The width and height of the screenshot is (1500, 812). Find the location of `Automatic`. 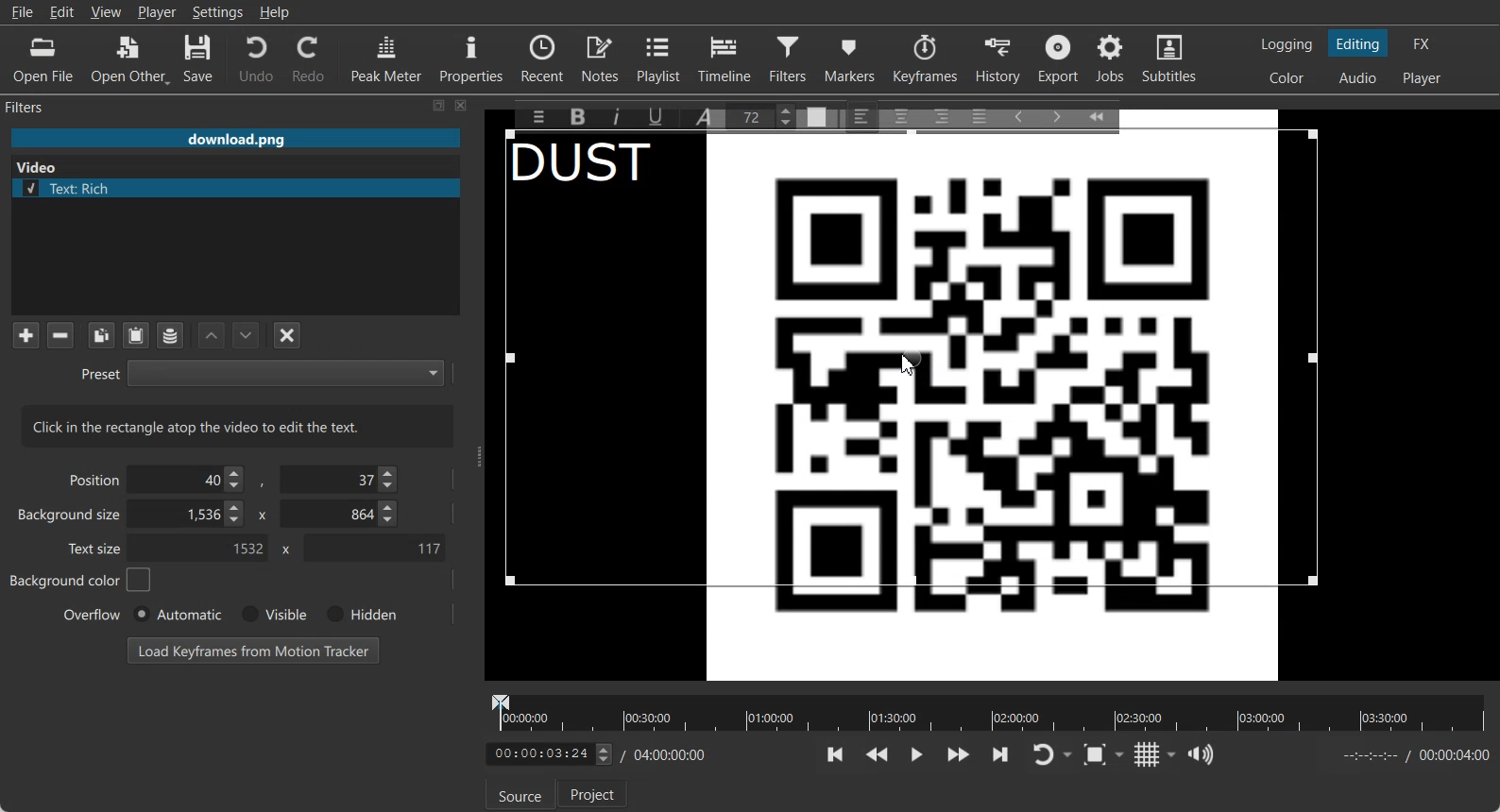

Automatic is located at coordinates (177, 614).